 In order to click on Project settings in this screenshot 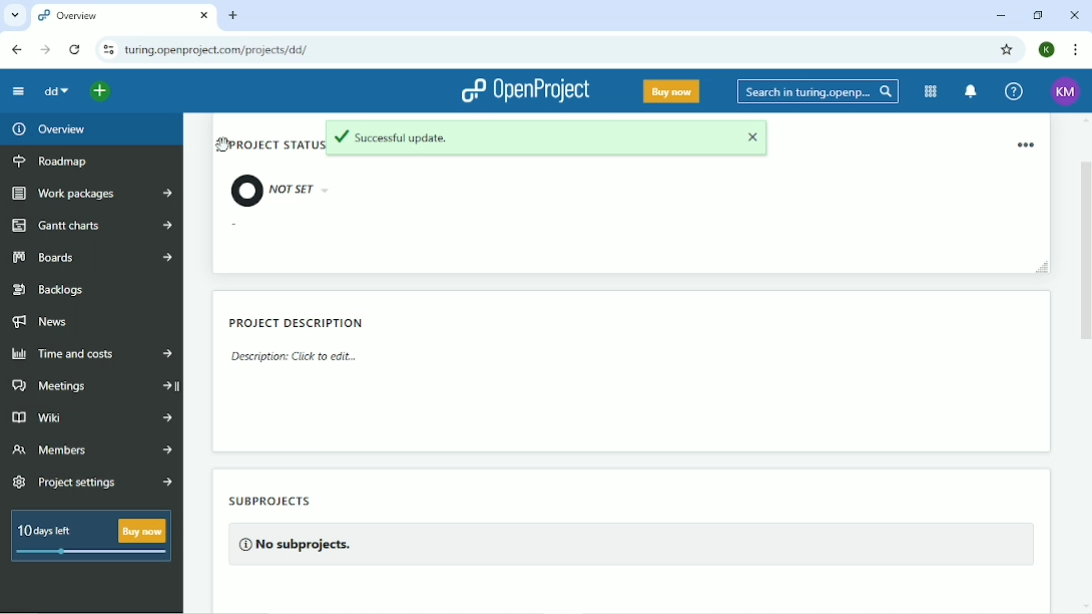, I will do `click(92, 482)`.